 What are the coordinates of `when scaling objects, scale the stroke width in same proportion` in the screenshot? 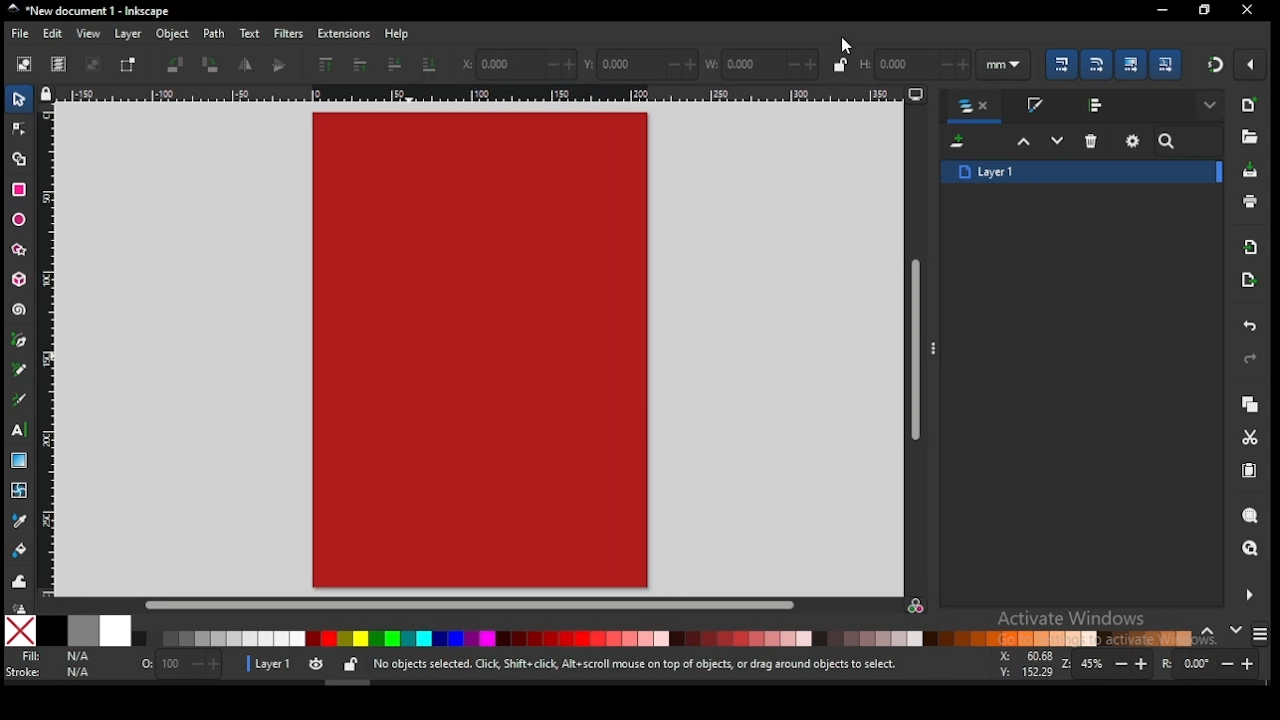 It's located at (1058, 64).